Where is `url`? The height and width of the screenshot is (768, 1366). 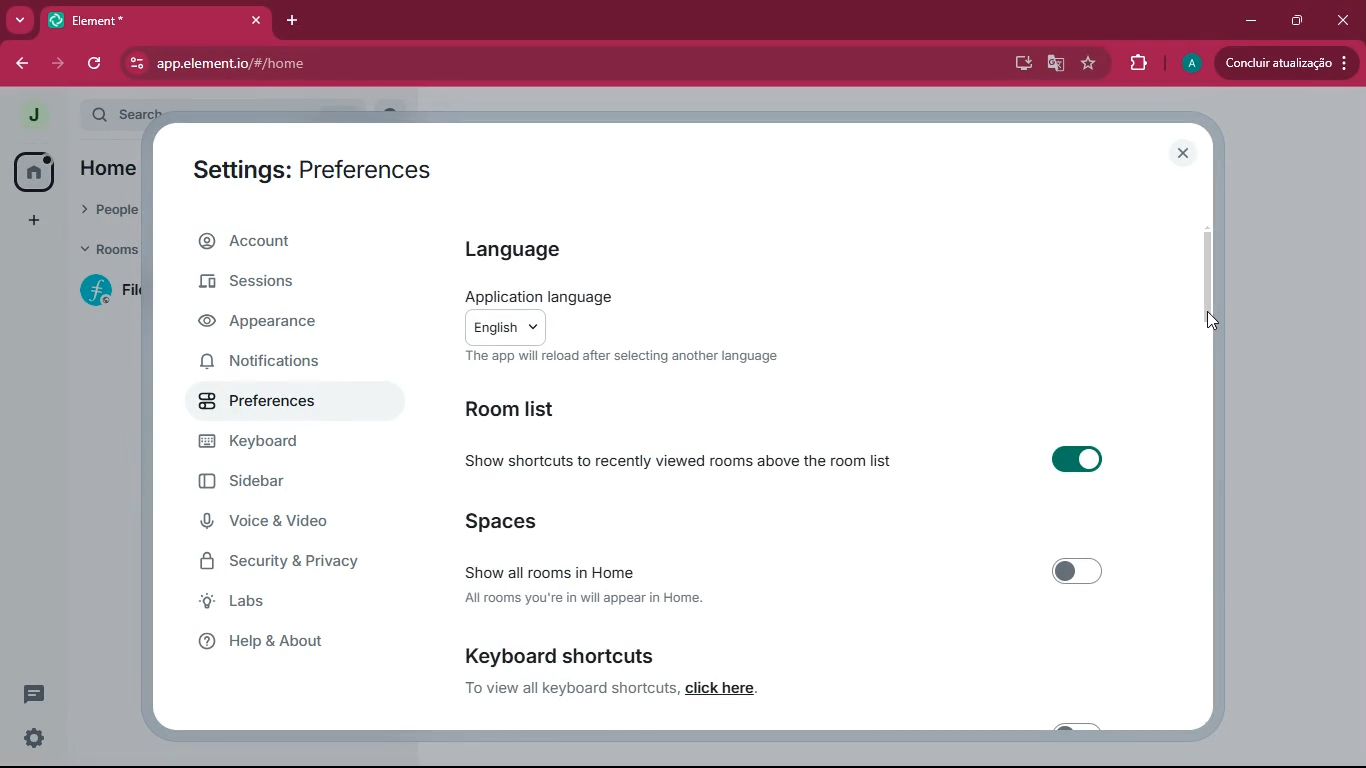
url is located at coordinates (300, 64).